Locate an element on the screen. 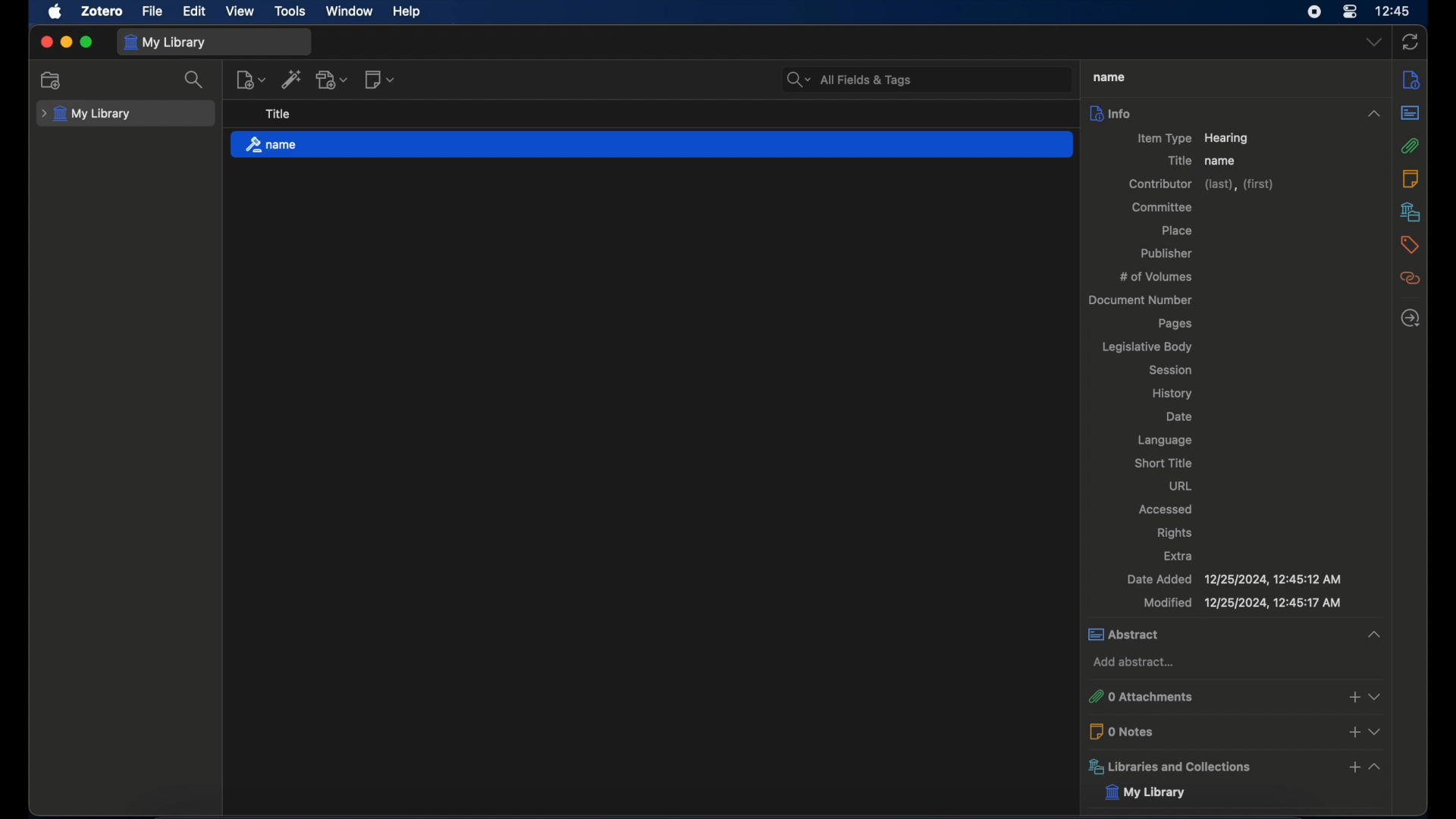 The image size is (1456, 819). sync is located at coordinates (1410, 42).